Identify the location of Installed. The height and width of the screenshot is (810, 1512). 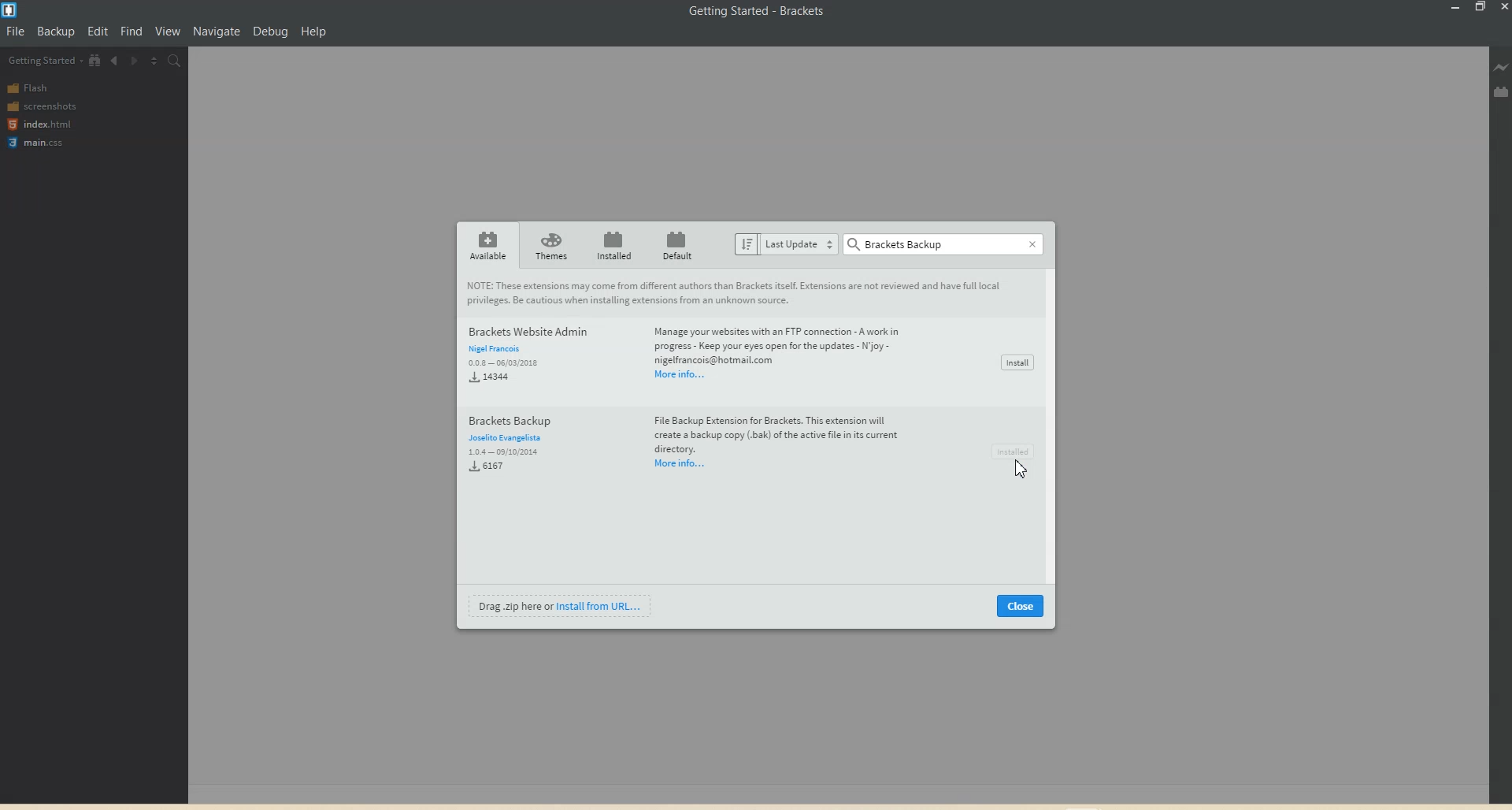
(613, 245).